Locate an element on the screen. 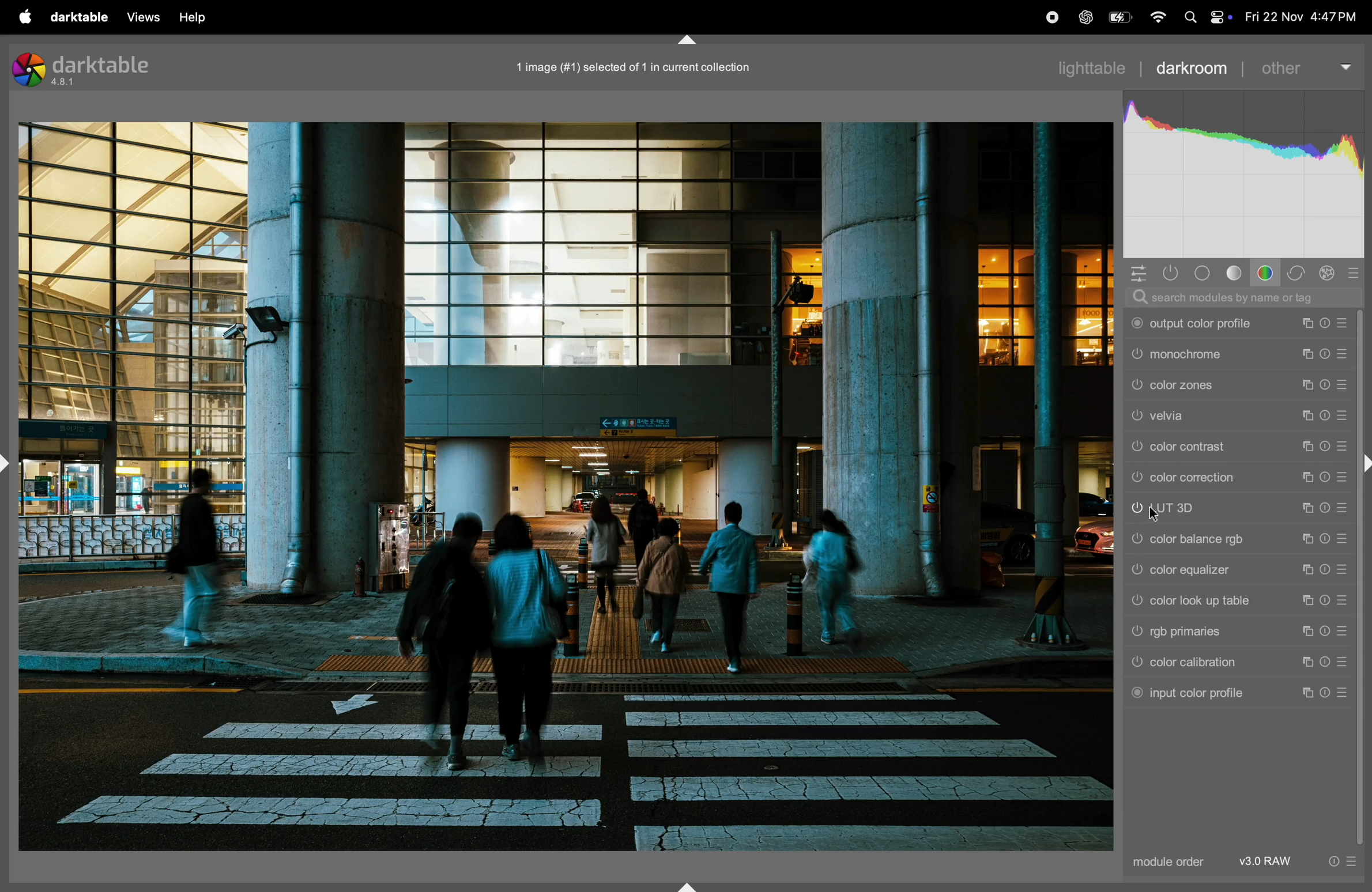  reset is located at coordinates (1326, 511).